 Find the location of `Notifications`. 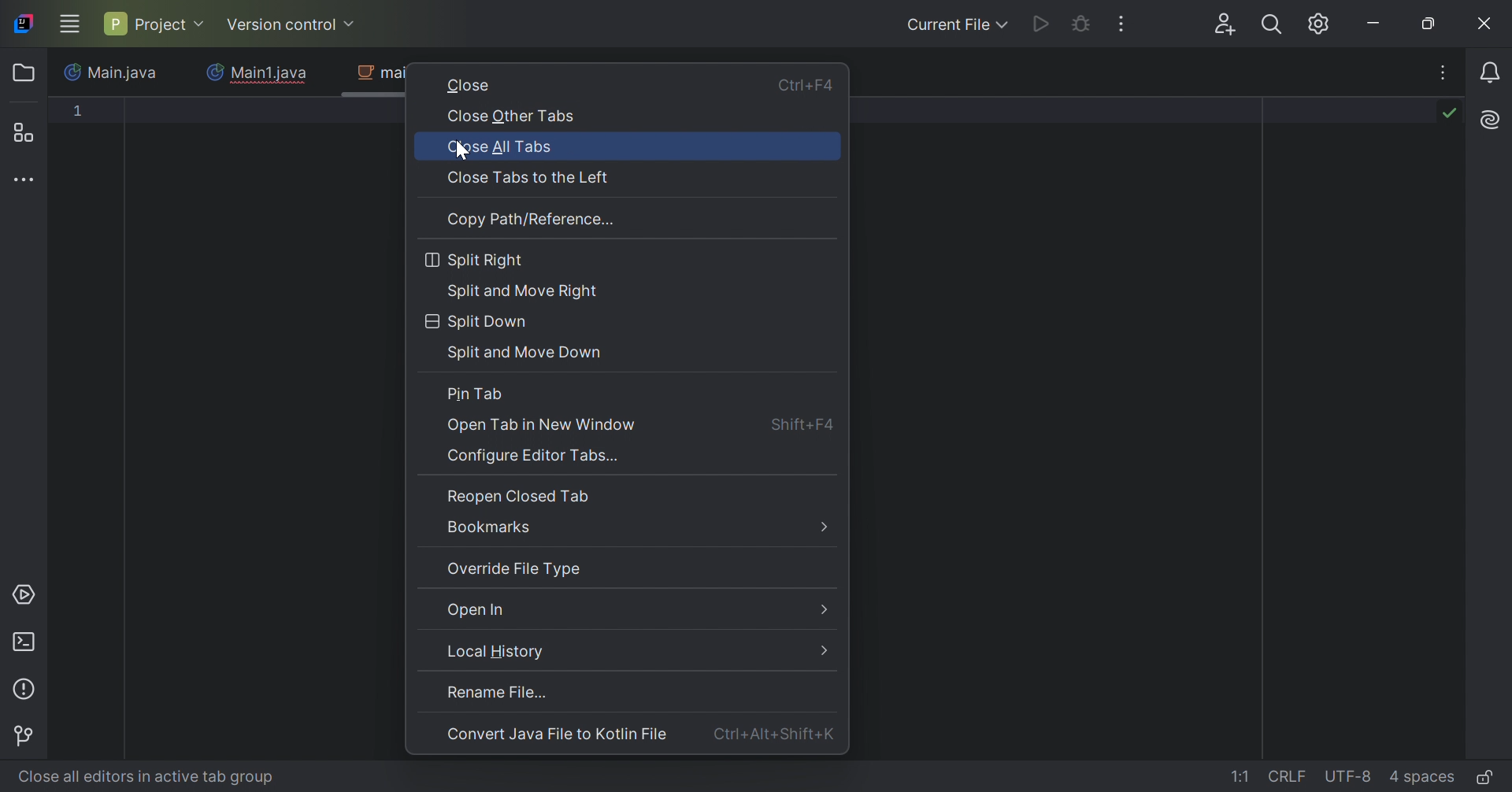

Notifications is located at coordinates (1494, 73).